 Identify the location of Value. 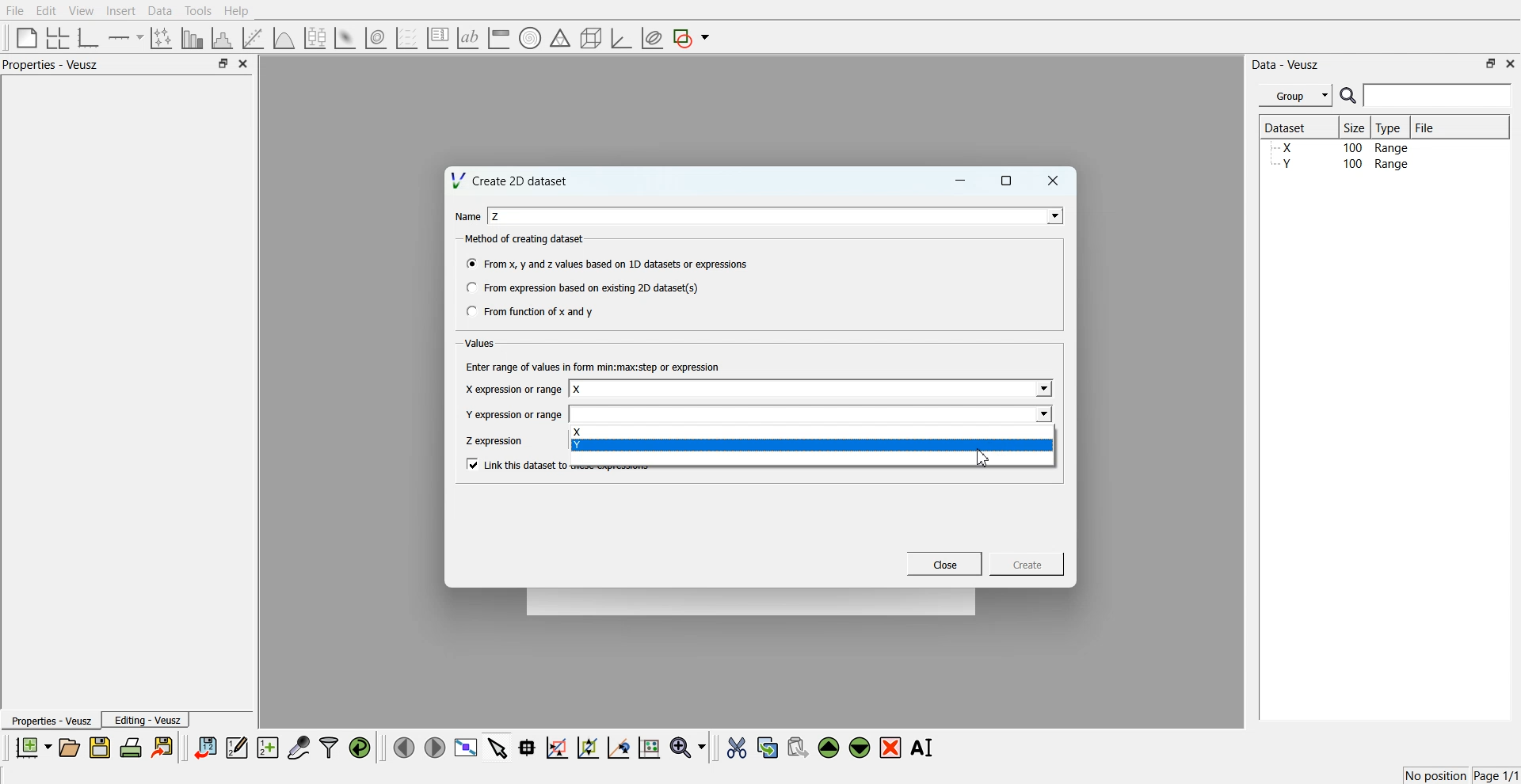
(482, 343).